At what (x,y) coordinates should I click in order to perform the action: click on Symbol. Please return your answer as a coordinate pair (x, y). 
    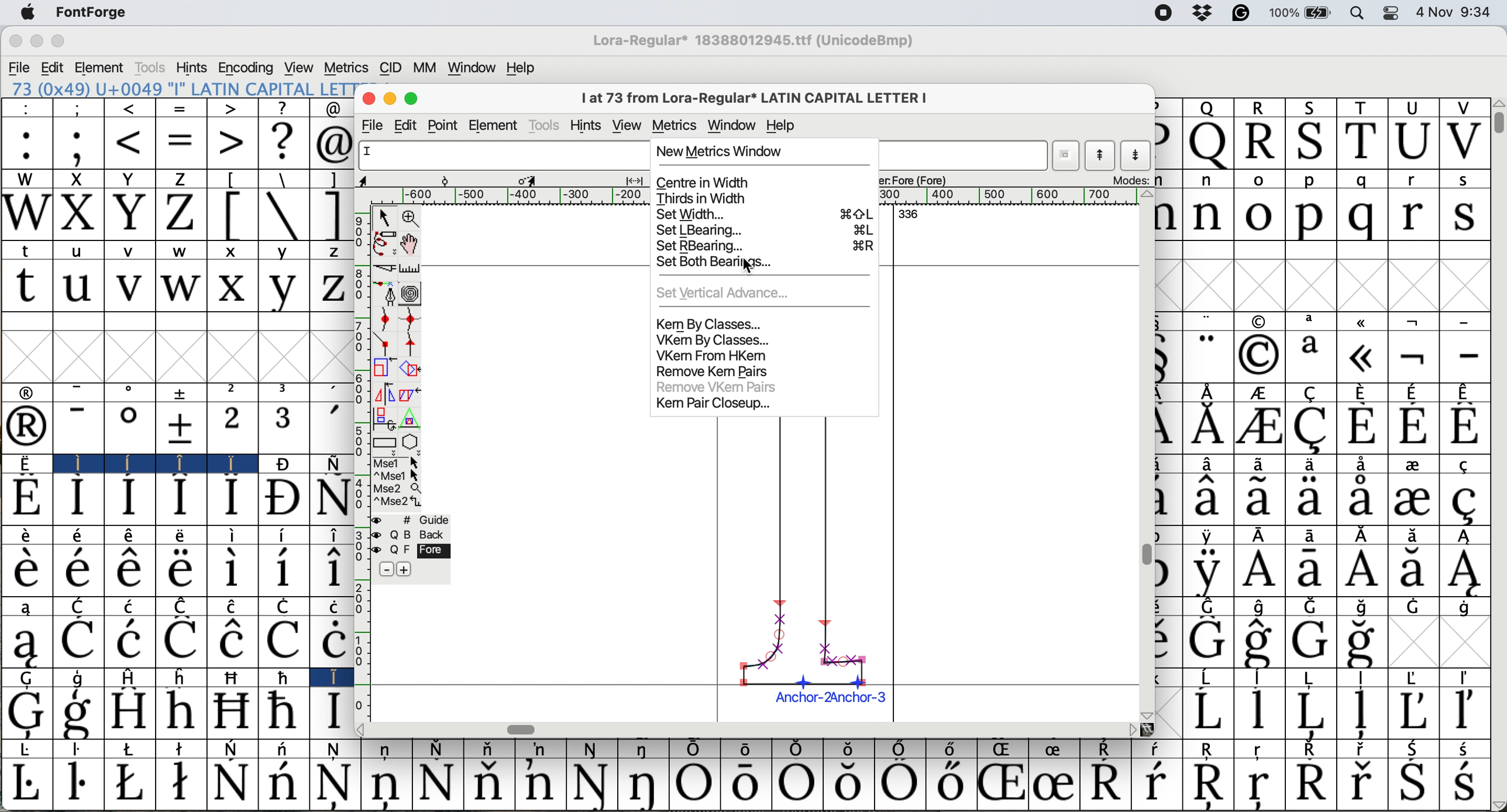
    Looking at the image, I should click on (280, 499).